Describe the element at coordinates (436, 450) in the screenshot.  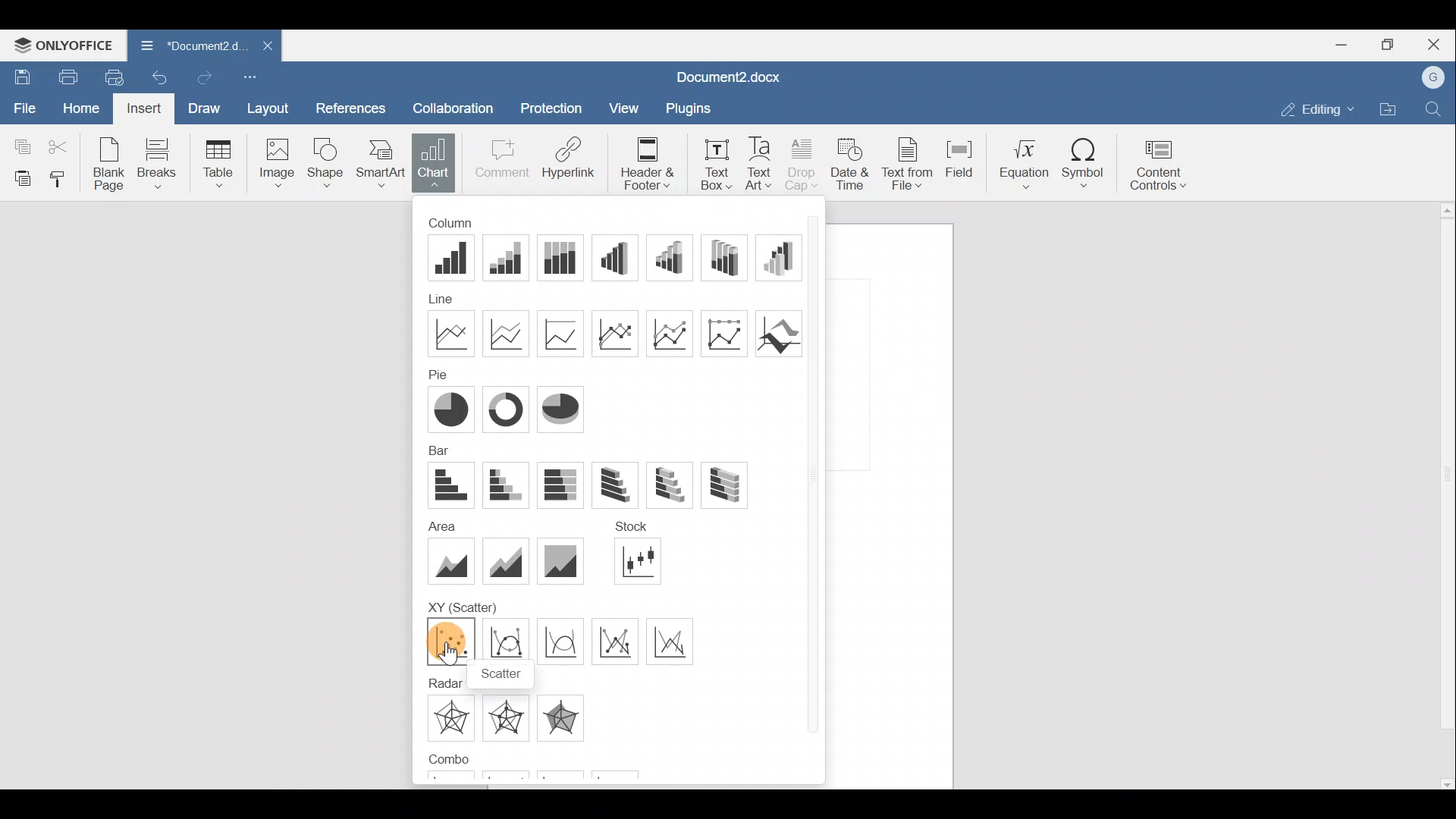
I see `Bar` at that location.